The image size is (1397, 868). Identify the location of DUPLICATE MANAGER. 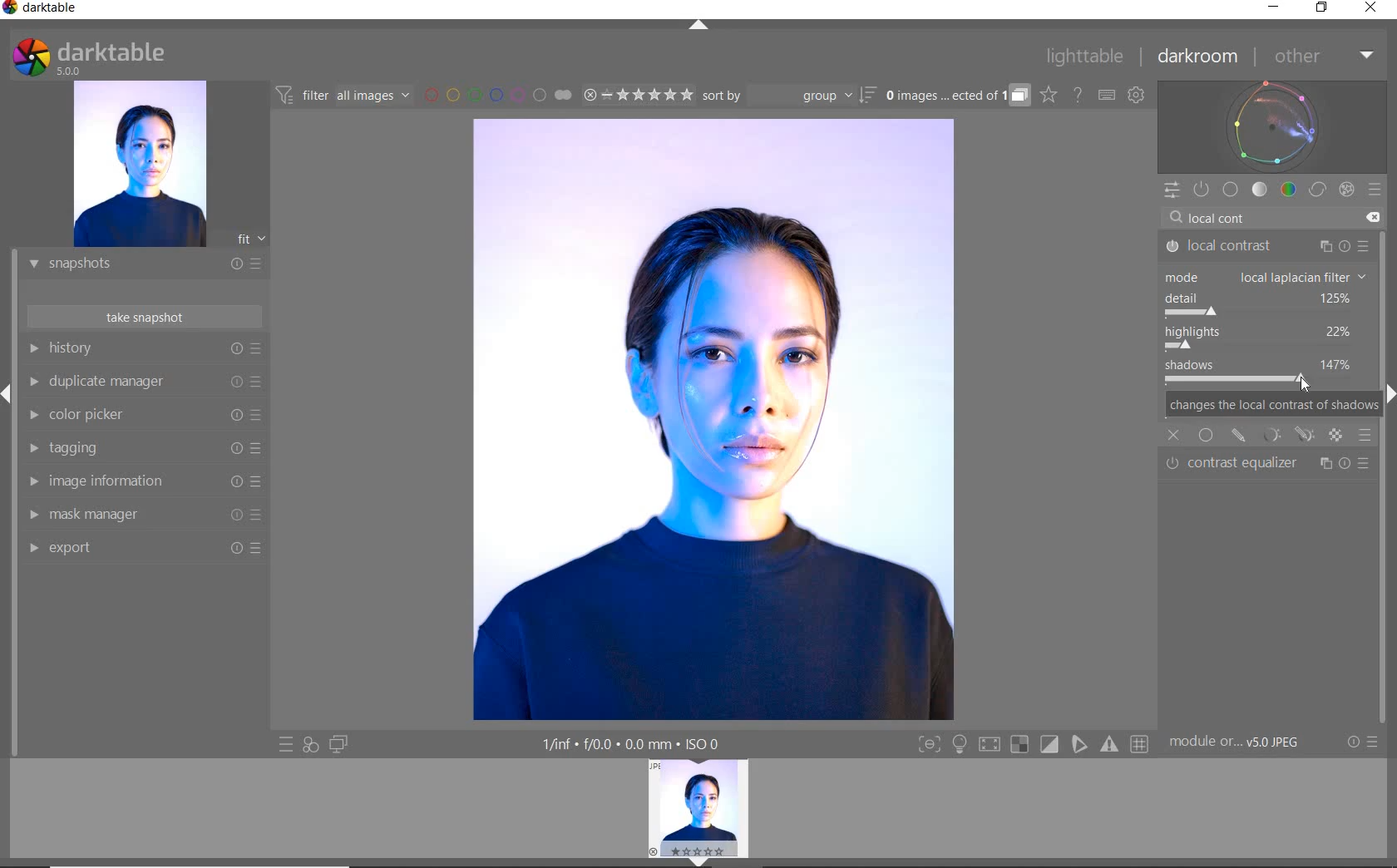
(143, 382).